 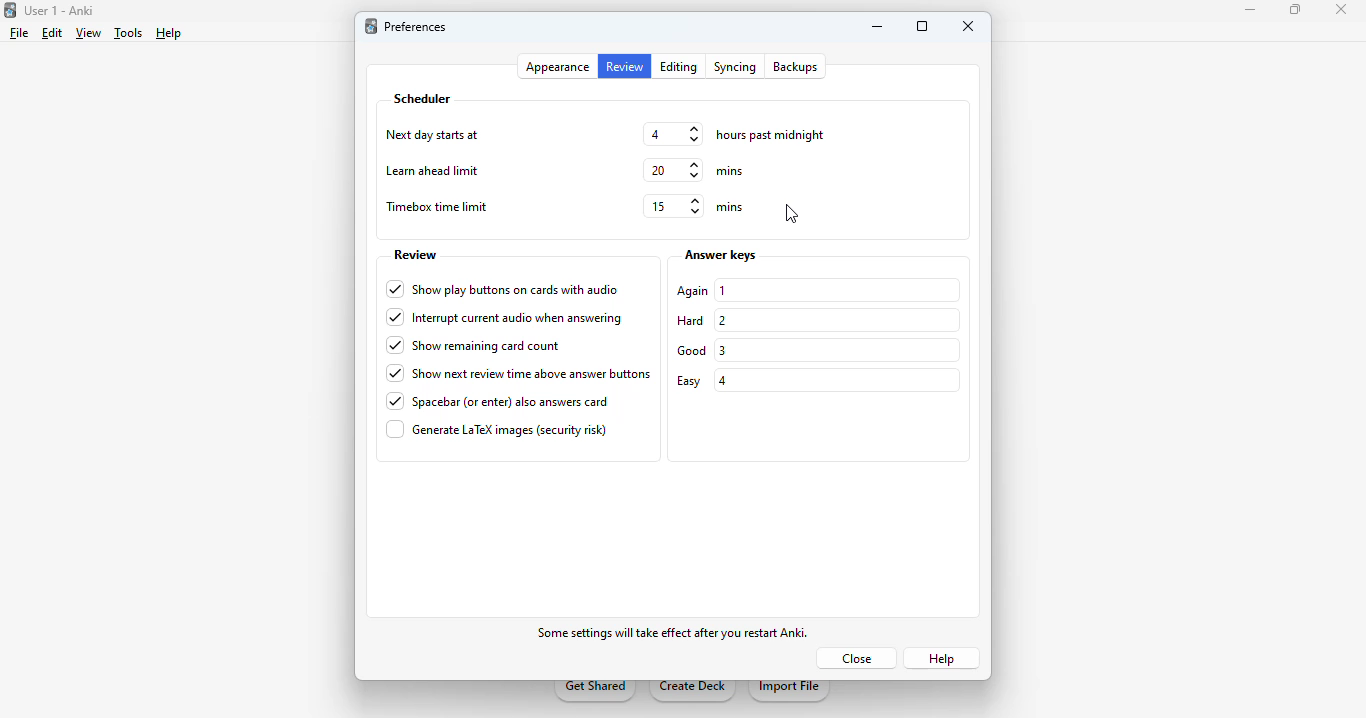 What do you see at coordinates (497, 429) in the screenshot?
I see `generate LaTex images (security risk)` at bounding box center [497, 429].